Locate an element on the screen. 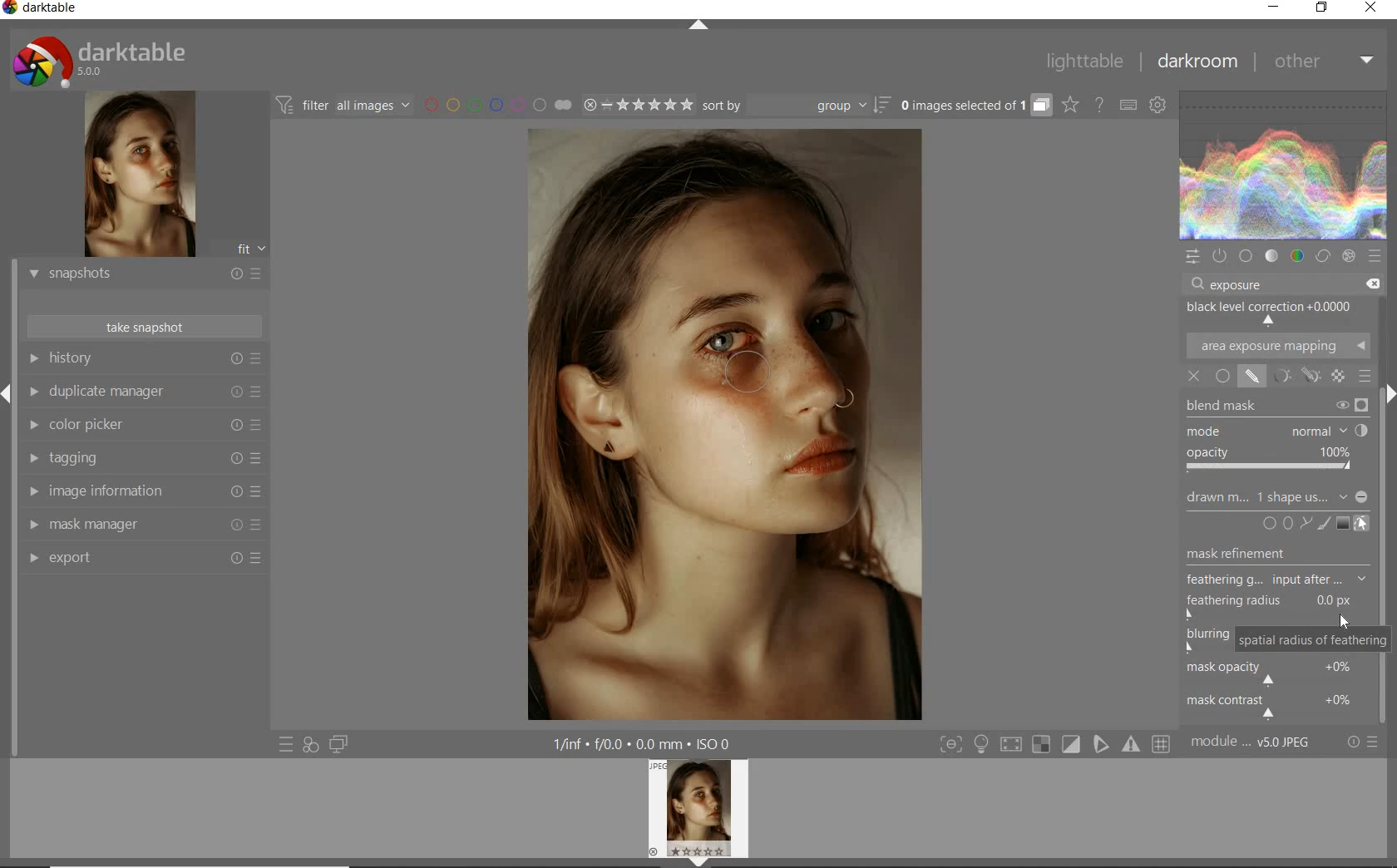  range rating of selected images is located at coordinates (639, 104).